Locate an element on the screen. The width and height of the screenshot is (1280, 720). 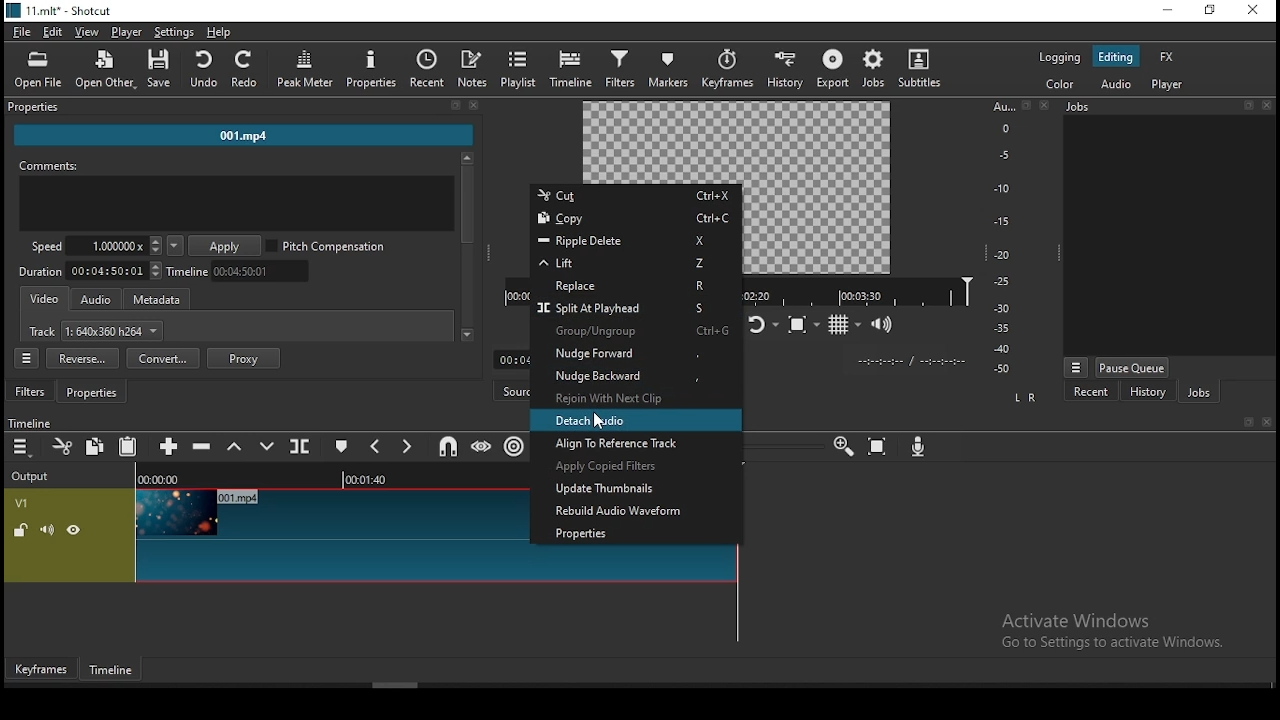
grouop/ungroup is located at coordinates (631, 331).